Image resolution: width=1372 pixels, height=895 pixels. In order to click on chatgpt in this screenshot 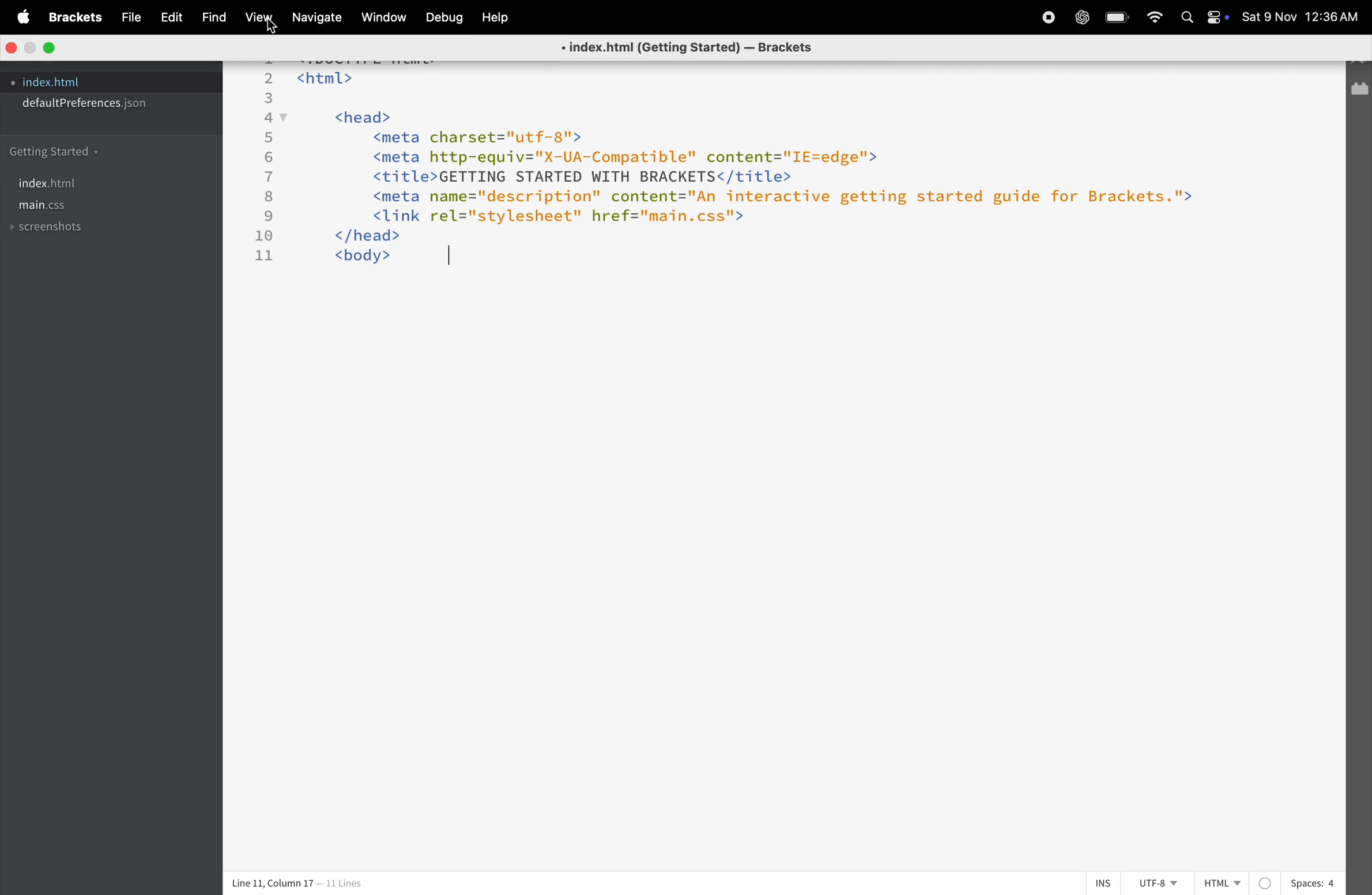, I will do `click(1081, 18)`.